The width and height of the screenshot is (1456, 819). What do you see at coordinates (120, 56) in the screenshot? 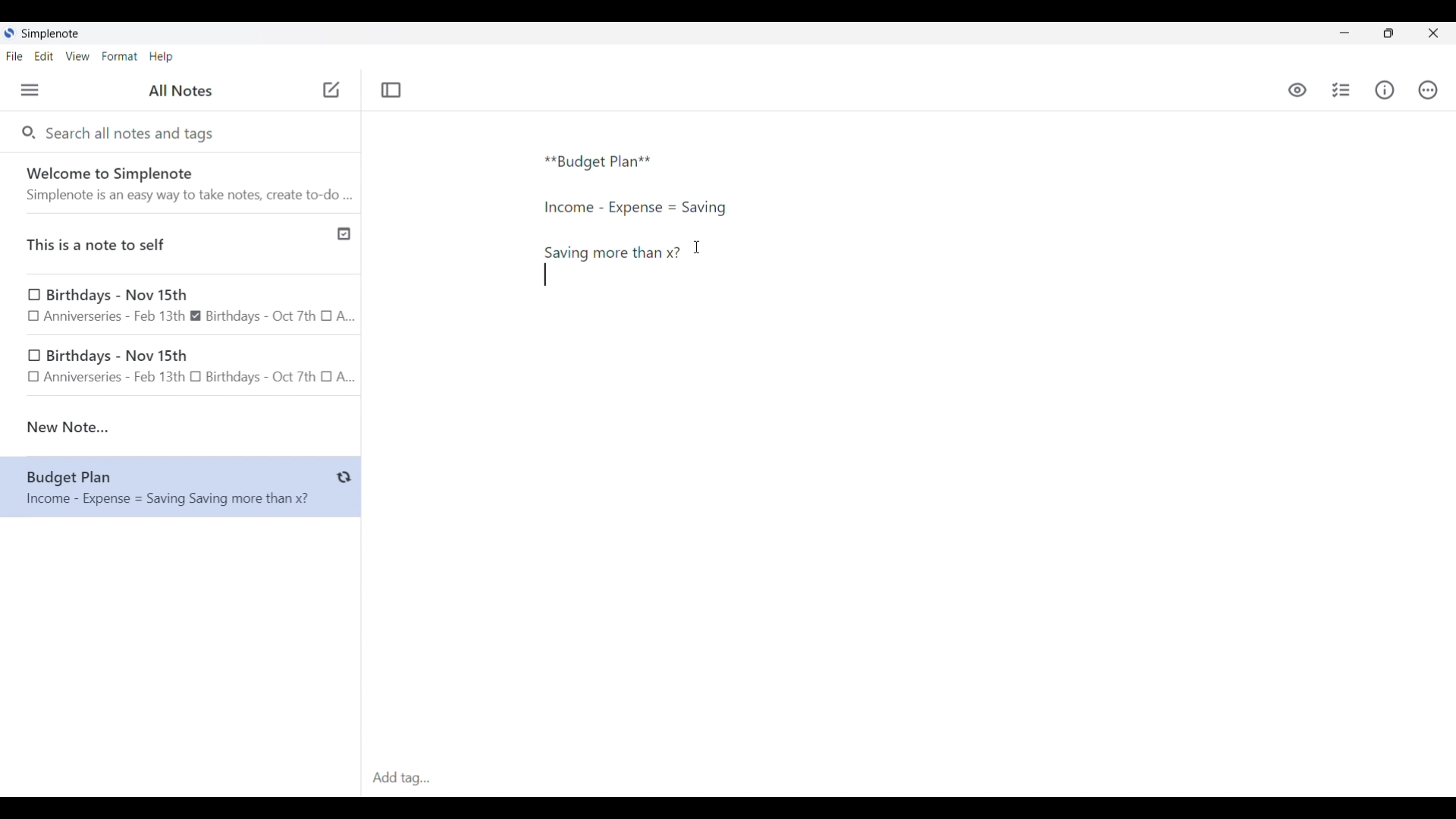
I see `Format menu` at bounding box center [120, 56].